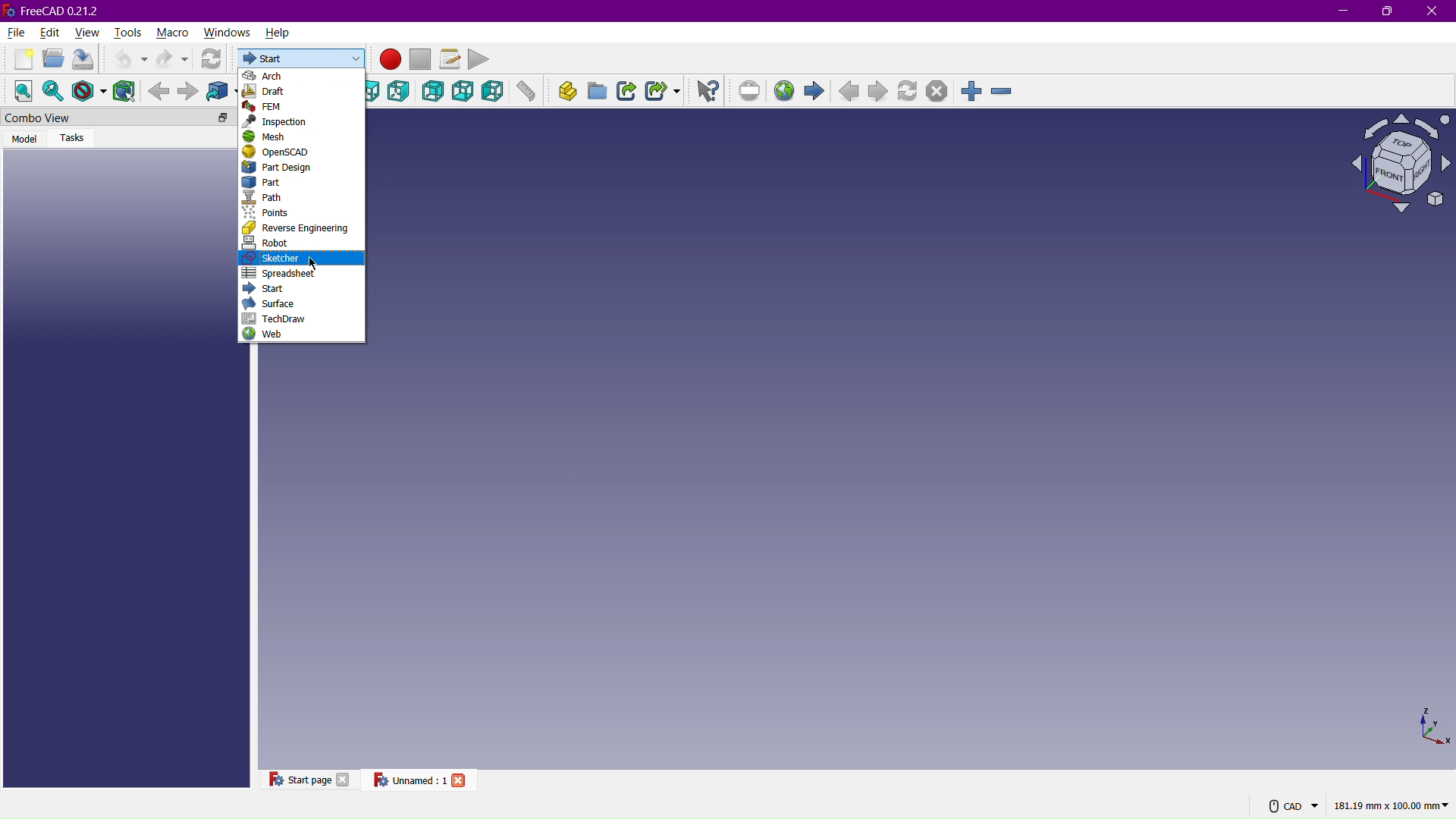 The height and width of the screenshot is (819, 1456). What do you see at coordinates (419, 60) in the screenshot?
I see `Stop Macros` at bounding box center [419, 60].